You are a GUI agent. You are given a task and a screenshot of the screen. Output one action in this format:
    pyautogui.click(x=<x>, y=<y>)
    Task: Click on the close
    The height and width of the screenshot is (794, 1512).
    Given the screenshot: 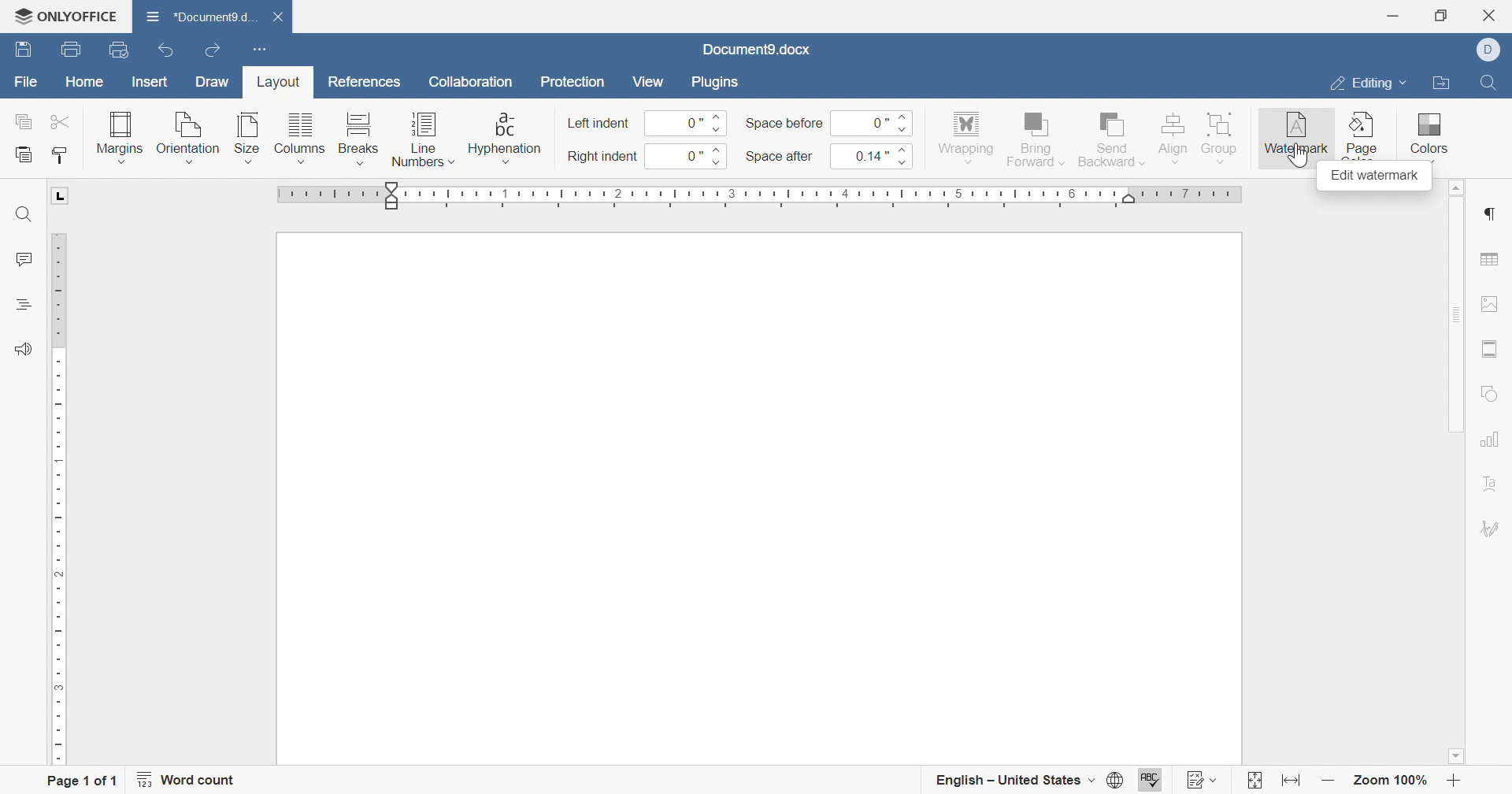 What is the action you would take?
    pyautogui.click(x=286, y=18)
    